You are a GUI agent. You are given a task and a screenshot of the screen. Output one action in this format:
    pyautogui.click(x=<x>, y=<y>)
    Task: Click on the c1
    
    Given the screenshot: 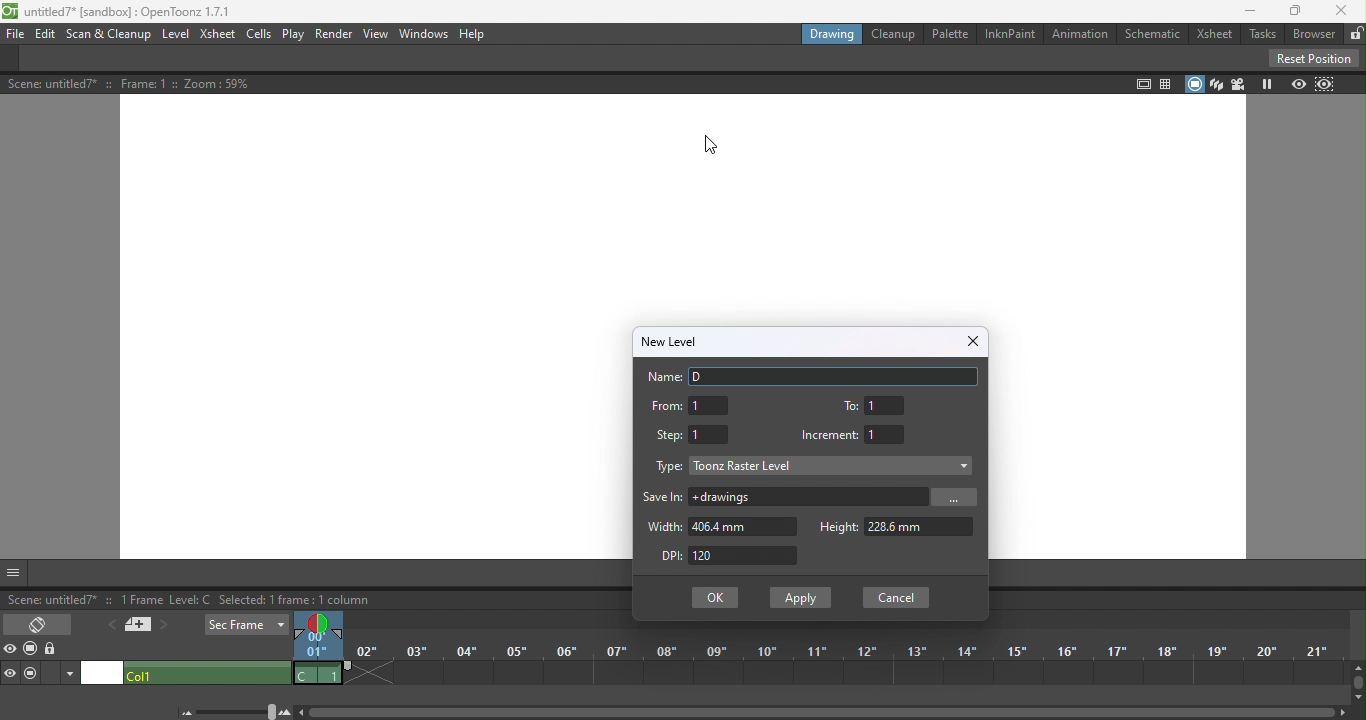 What is the action you would take?
    pyautogui.click(x=318, y=674)
    